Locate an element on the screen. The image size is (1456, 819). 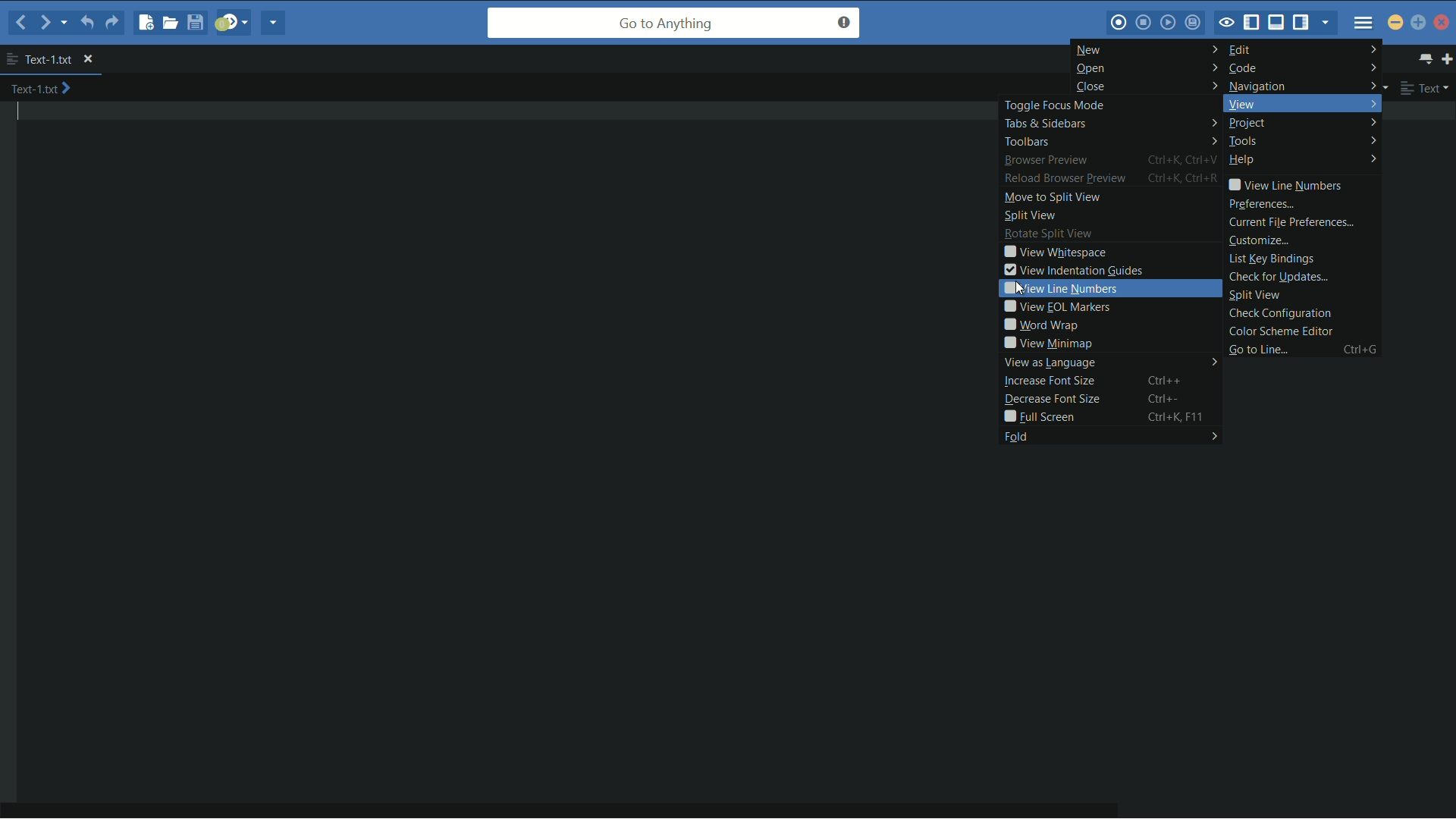
stop macro is located at coordinates (1143, 24).